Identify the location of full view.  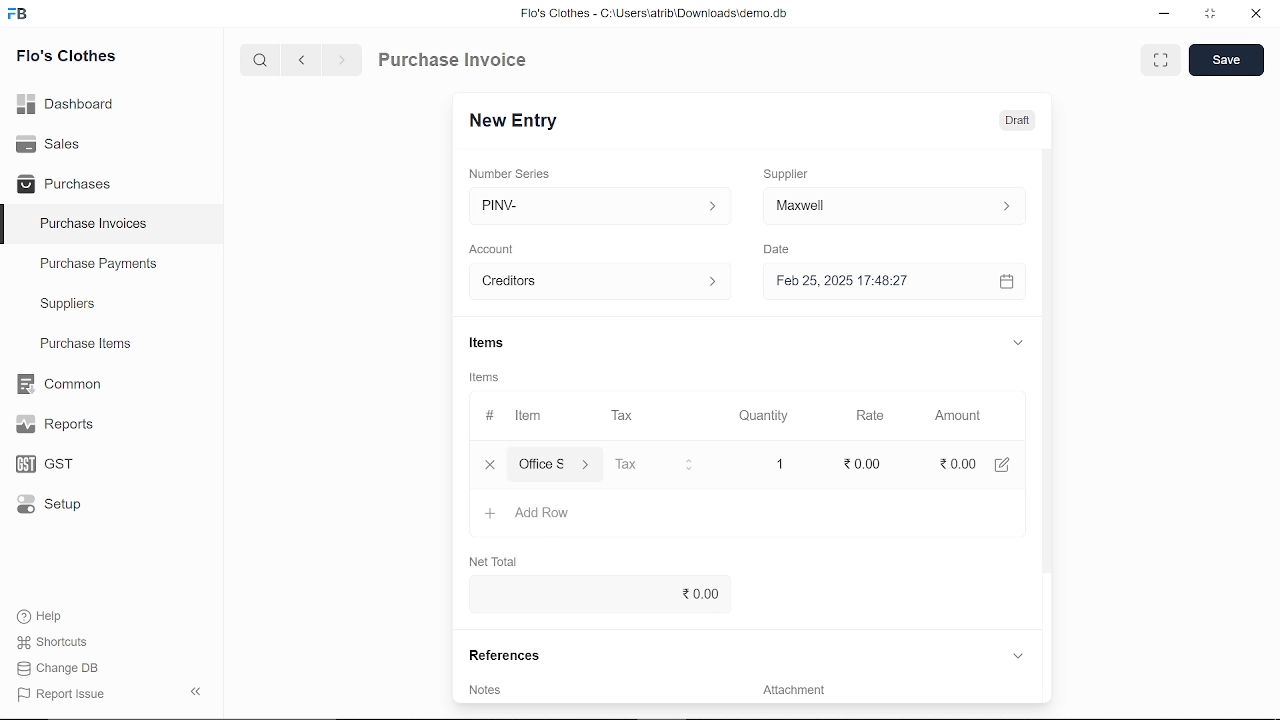
(1162, 60).